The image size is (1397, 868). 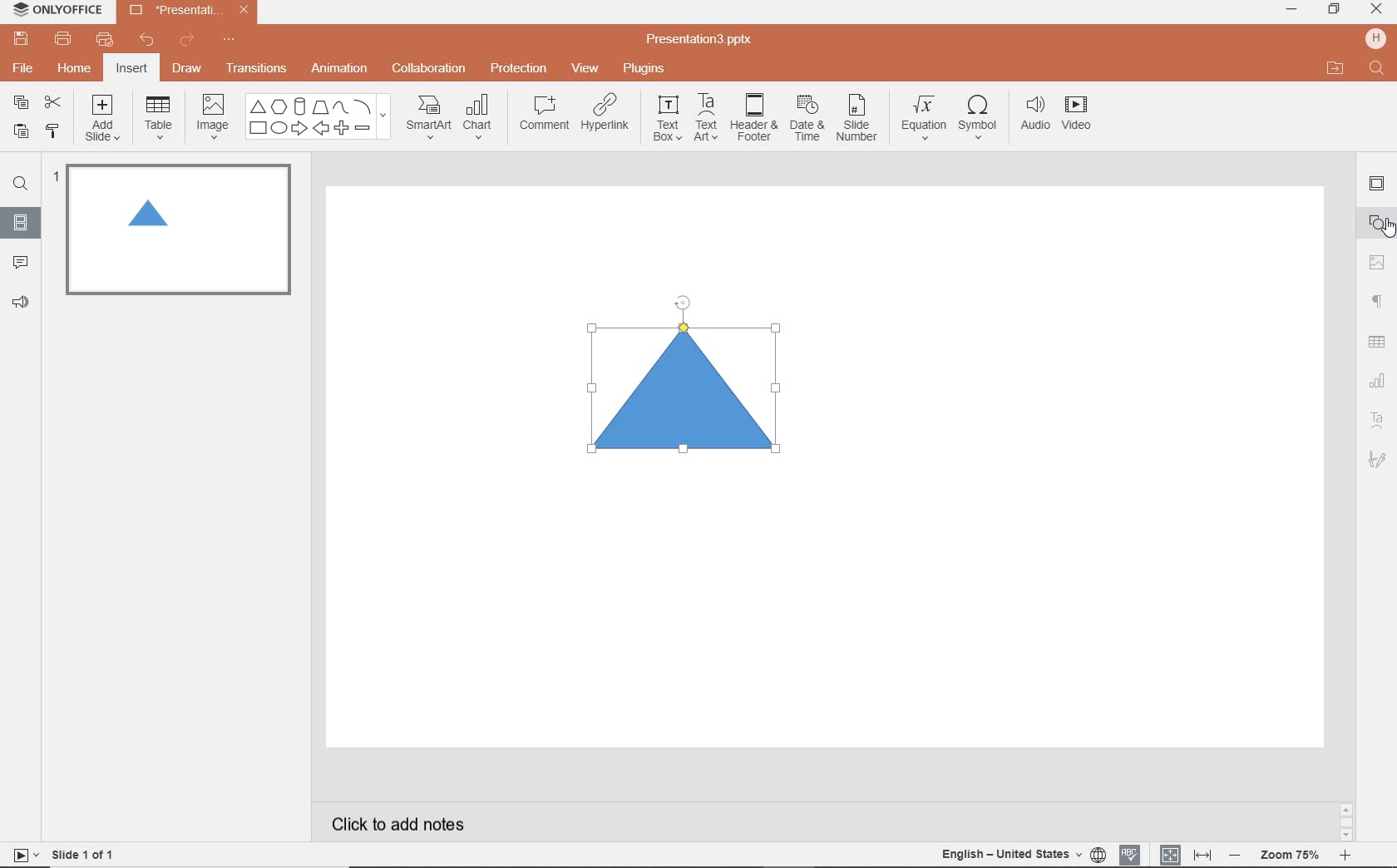 What do you see at coordinates (1375, 222) in the screenshot?
I see `SHAPE SETTINGS` at bounding box center [1375, 222].